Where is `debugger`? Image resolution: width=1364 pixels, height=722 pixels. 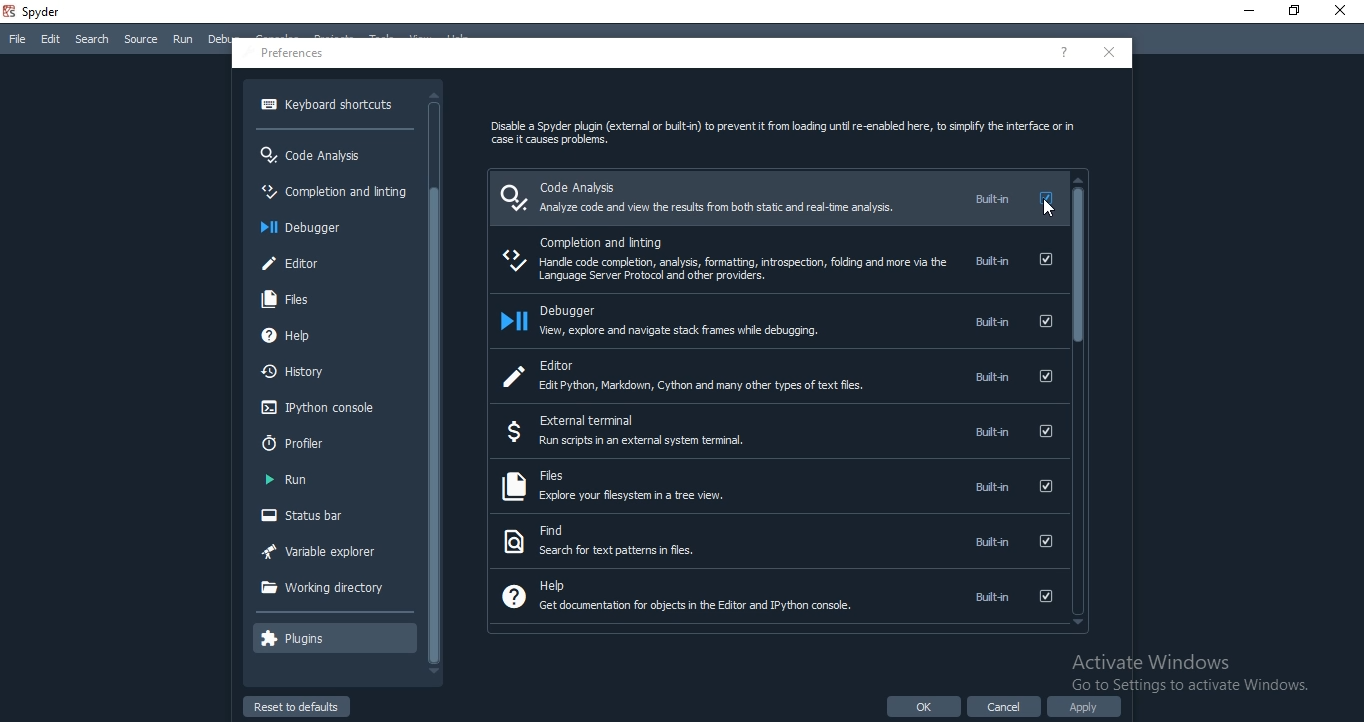 debugger is located at coordinates (778, 321).